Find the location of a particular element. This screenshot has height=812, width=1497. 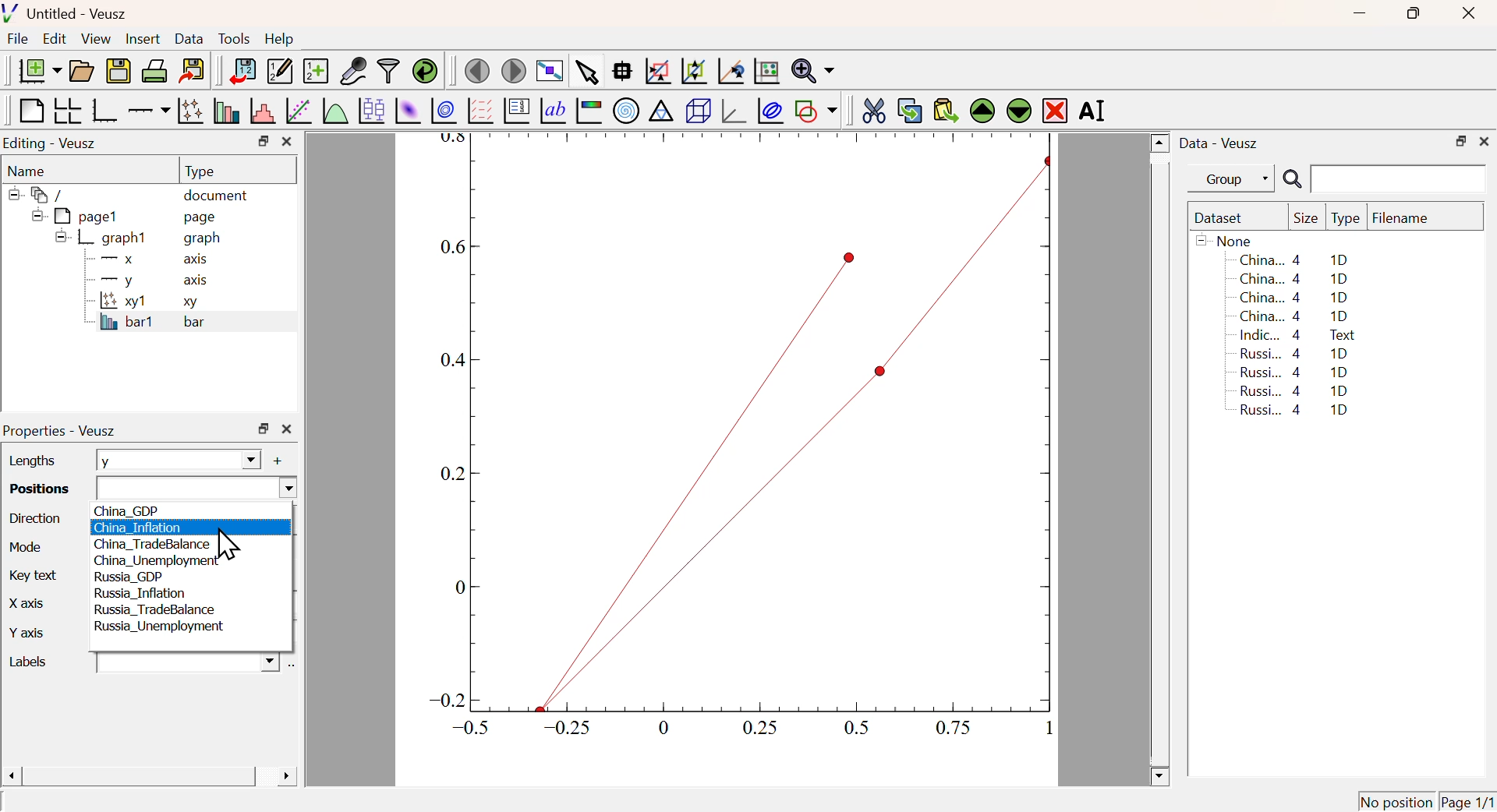

Move Up is located at coordinates (984, 111).